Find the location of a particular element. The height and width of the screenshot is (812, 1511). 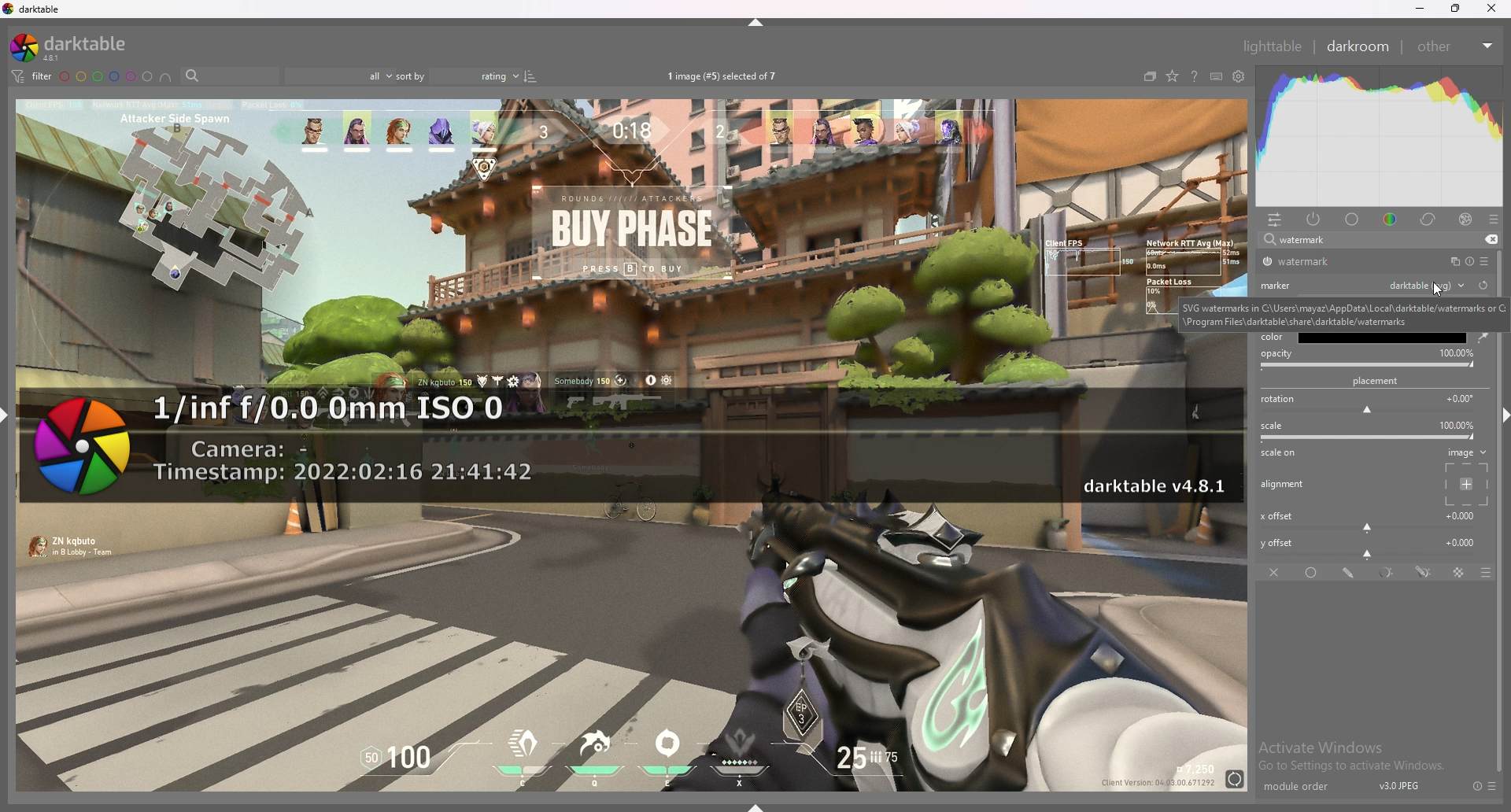

minimize is located at coordinates (1420, 9).